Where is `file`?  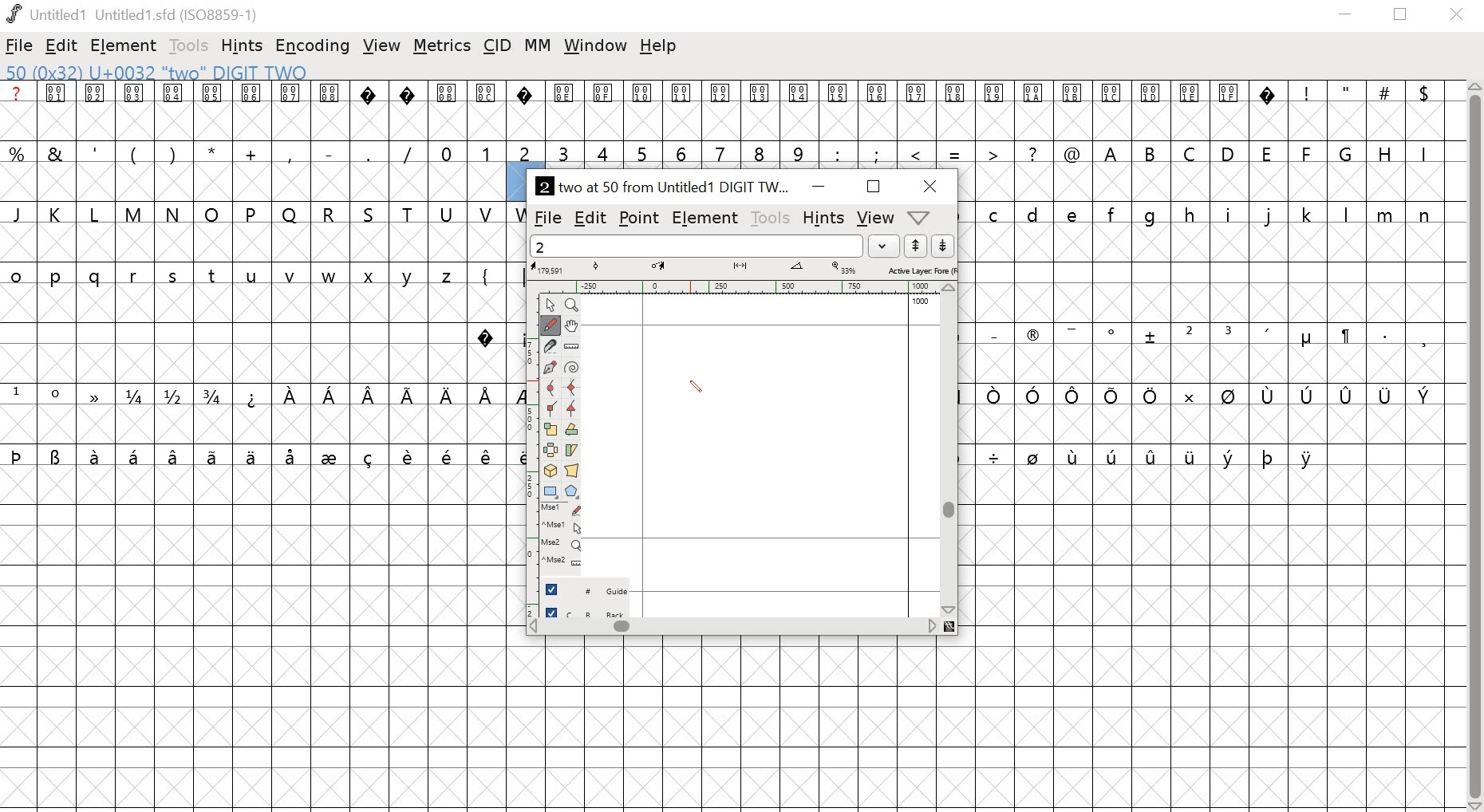 file is located at coordinates (547, 217).